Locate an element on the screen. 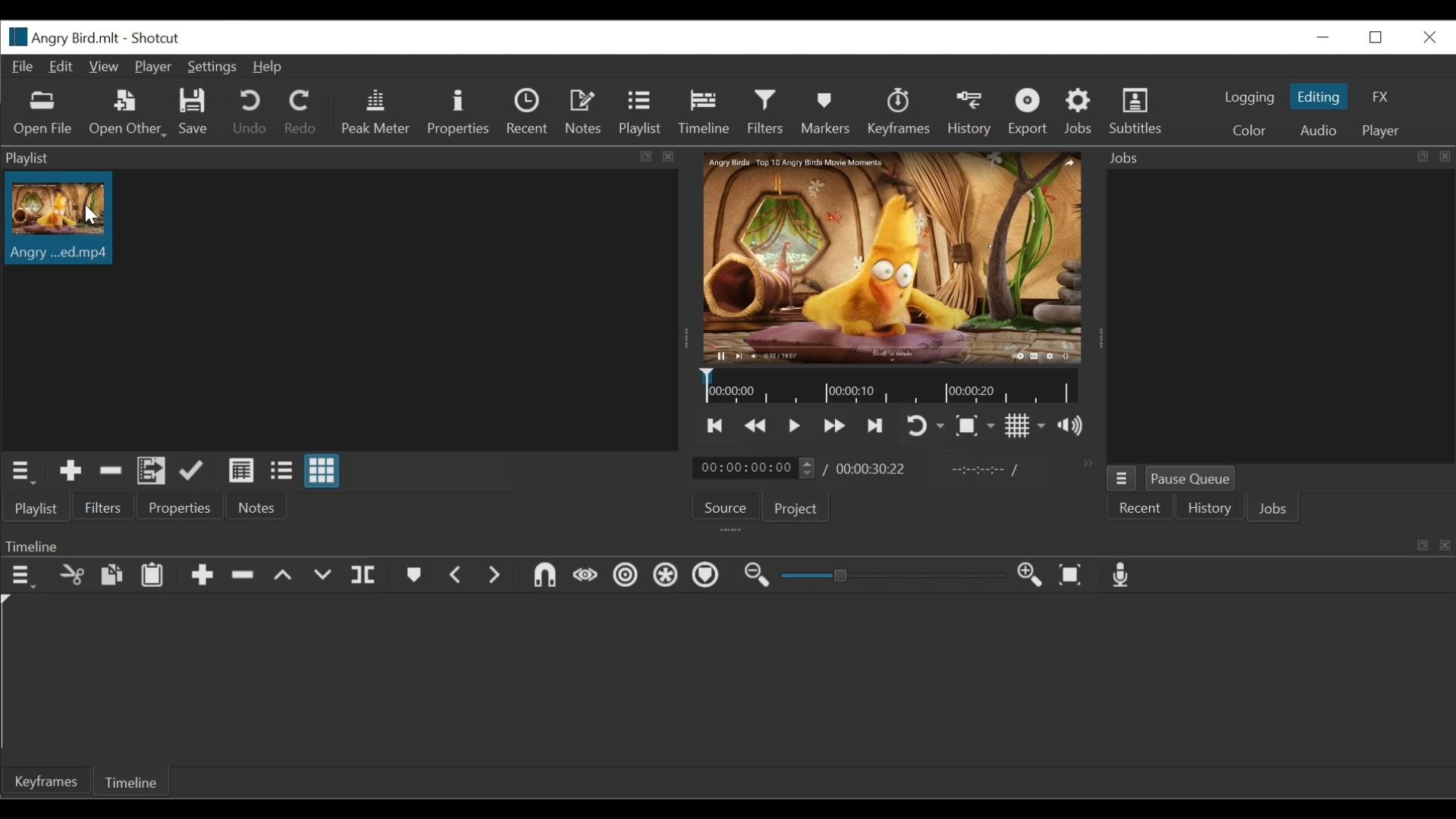  Ripple markers is located at coordinates (708, 576).